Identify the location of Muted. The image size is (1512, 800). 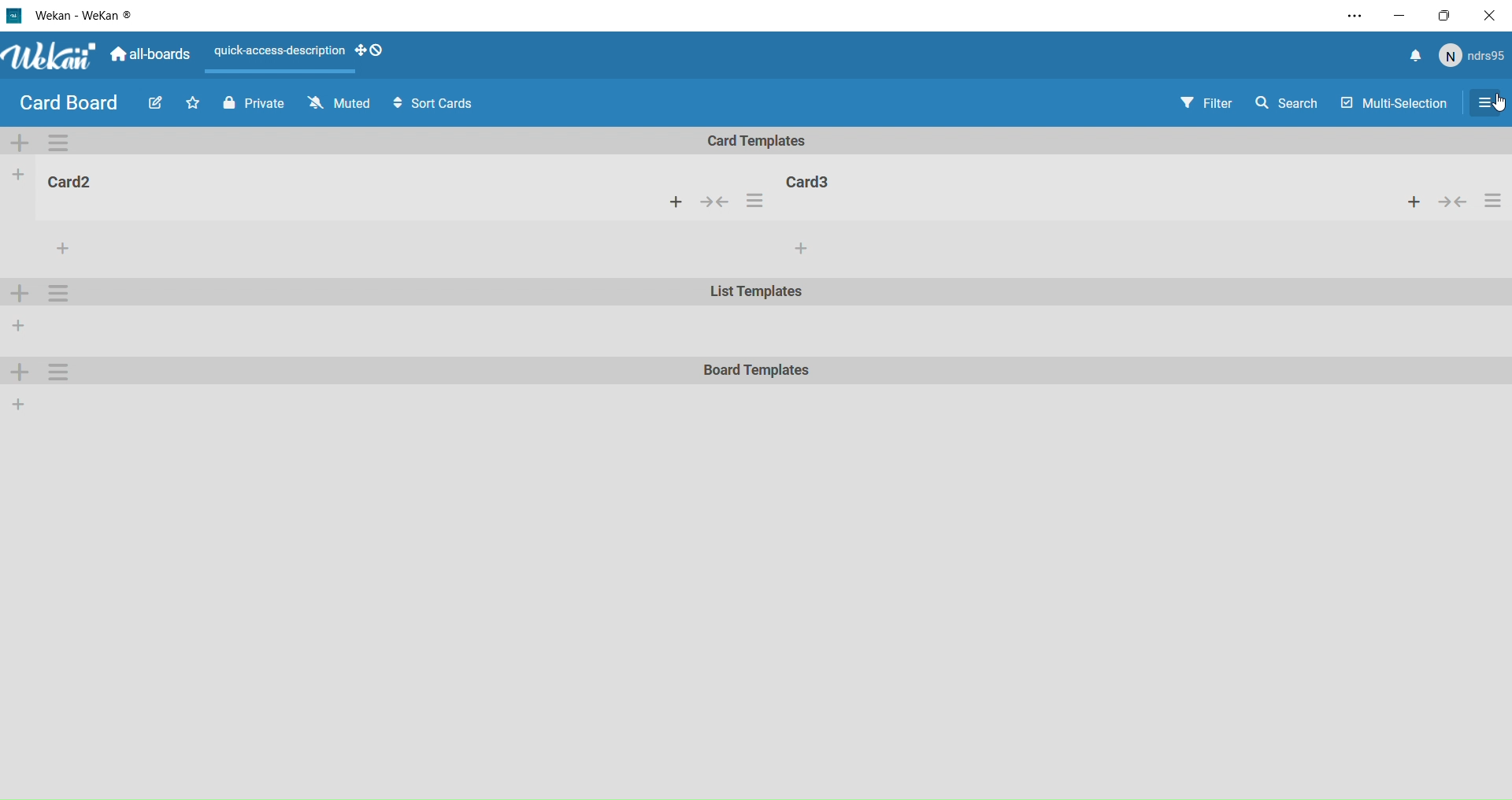
(337, 103).